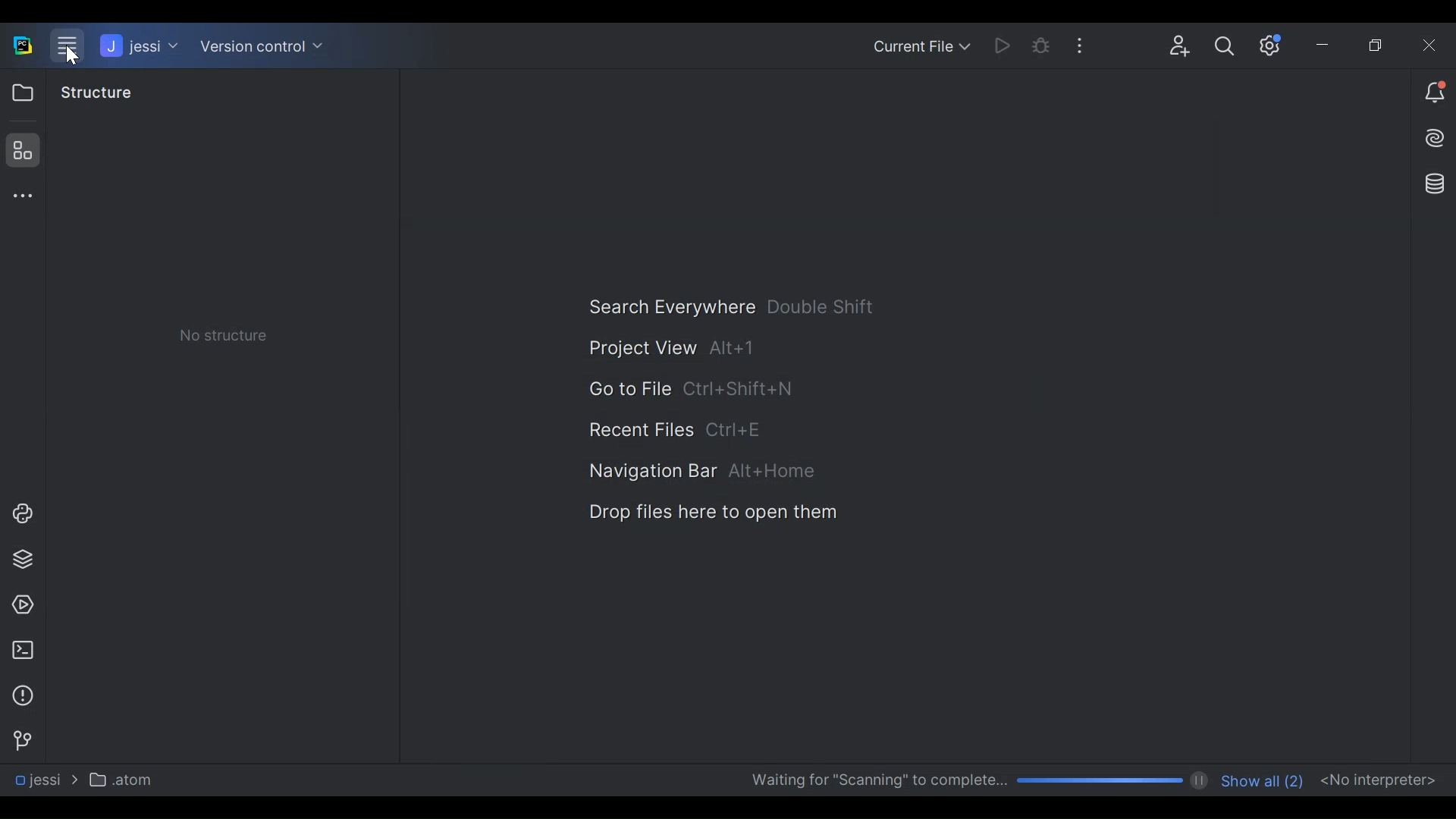 Image resolution: width=1456 pixels, height=819 pixels. I want to click on Project View, so click(643, 347).